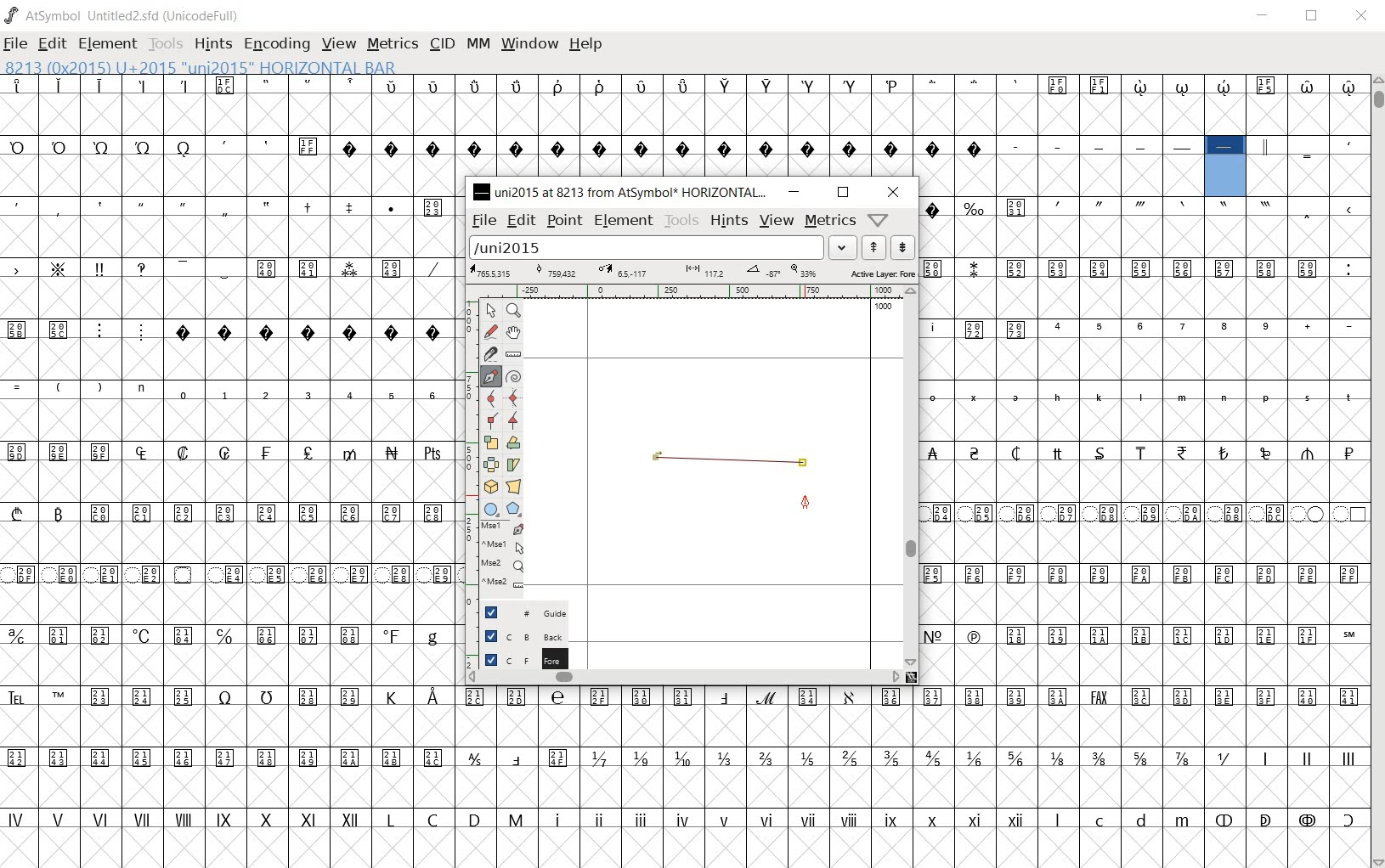  I want to click on HELP, so click(588, 43).